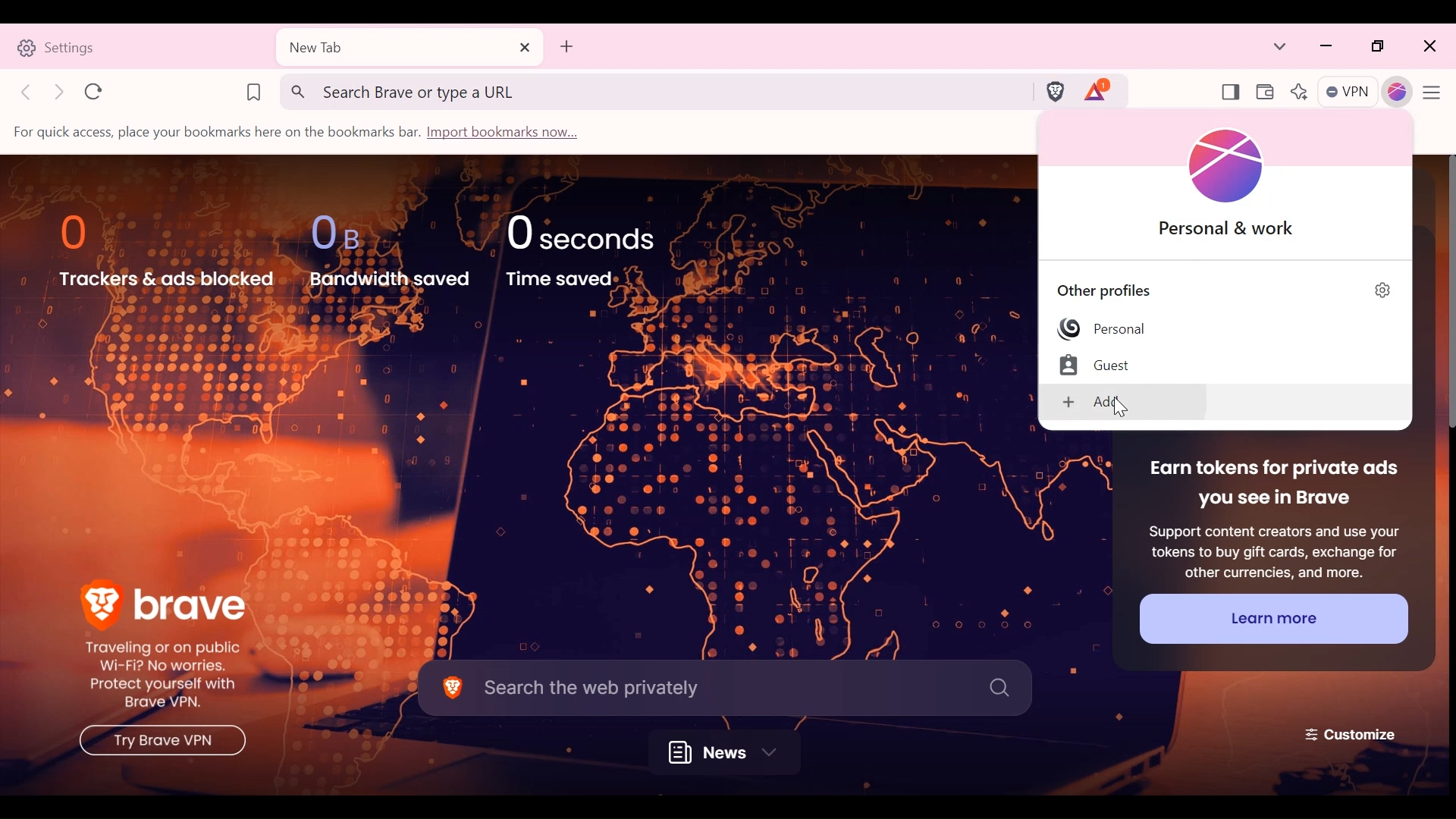  Describe the element at coordinates (137, 46) in the screenshot. I see `Settings` at that location.